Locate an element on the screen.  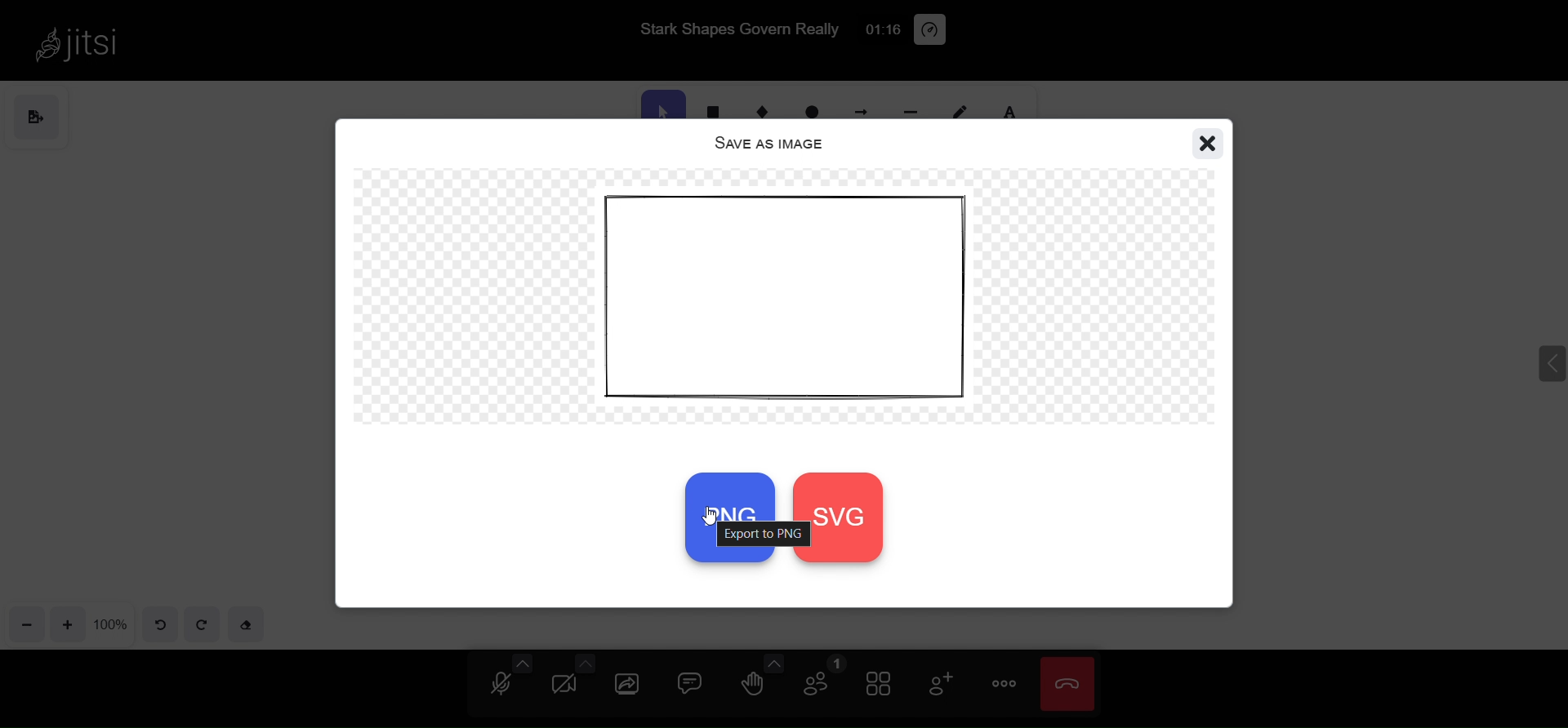
eraser is located at coordinates (248, 625).